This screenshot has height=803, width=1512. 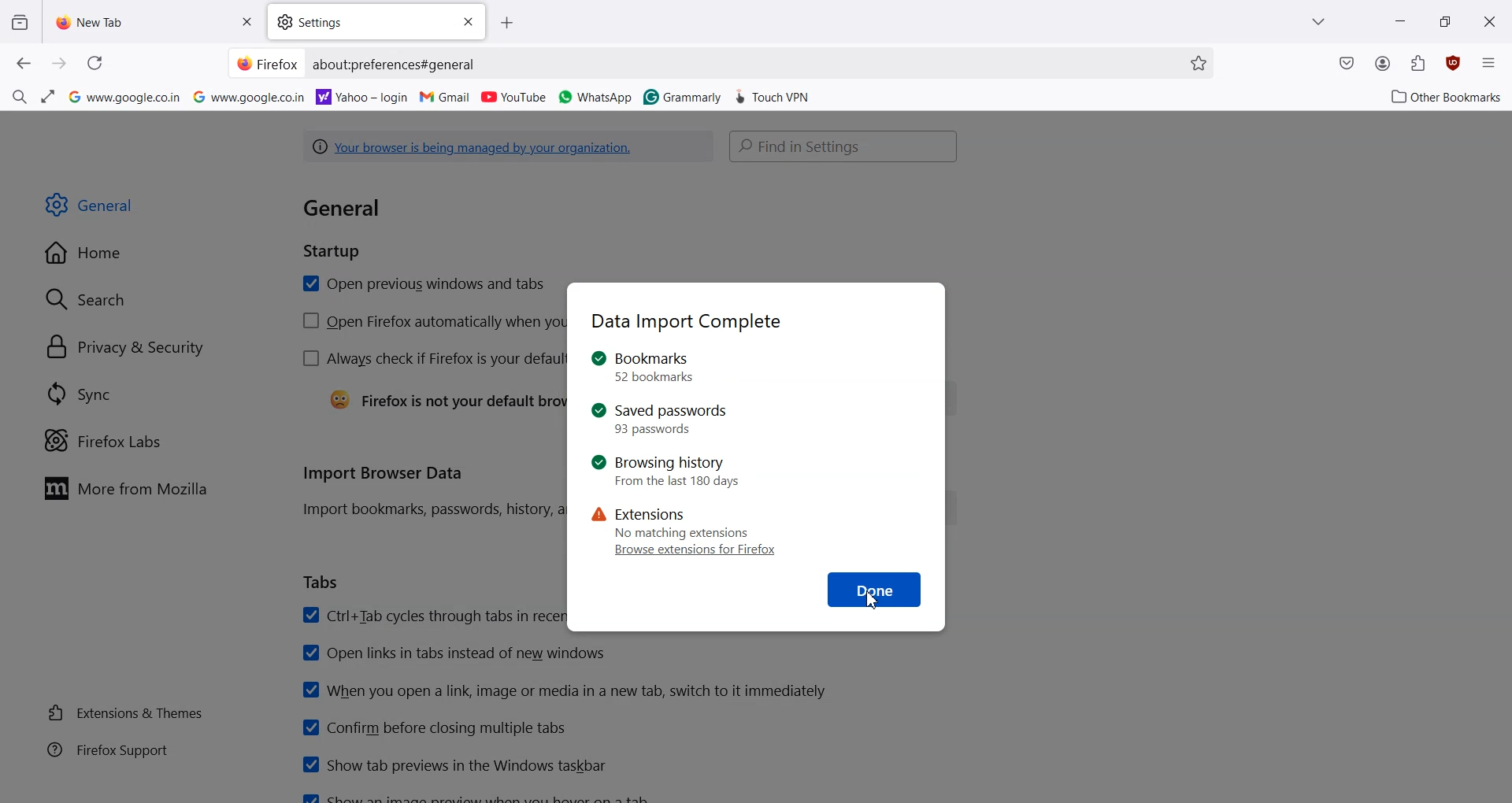 I want to click on Privacy & Security, so click(x=127, y=347).